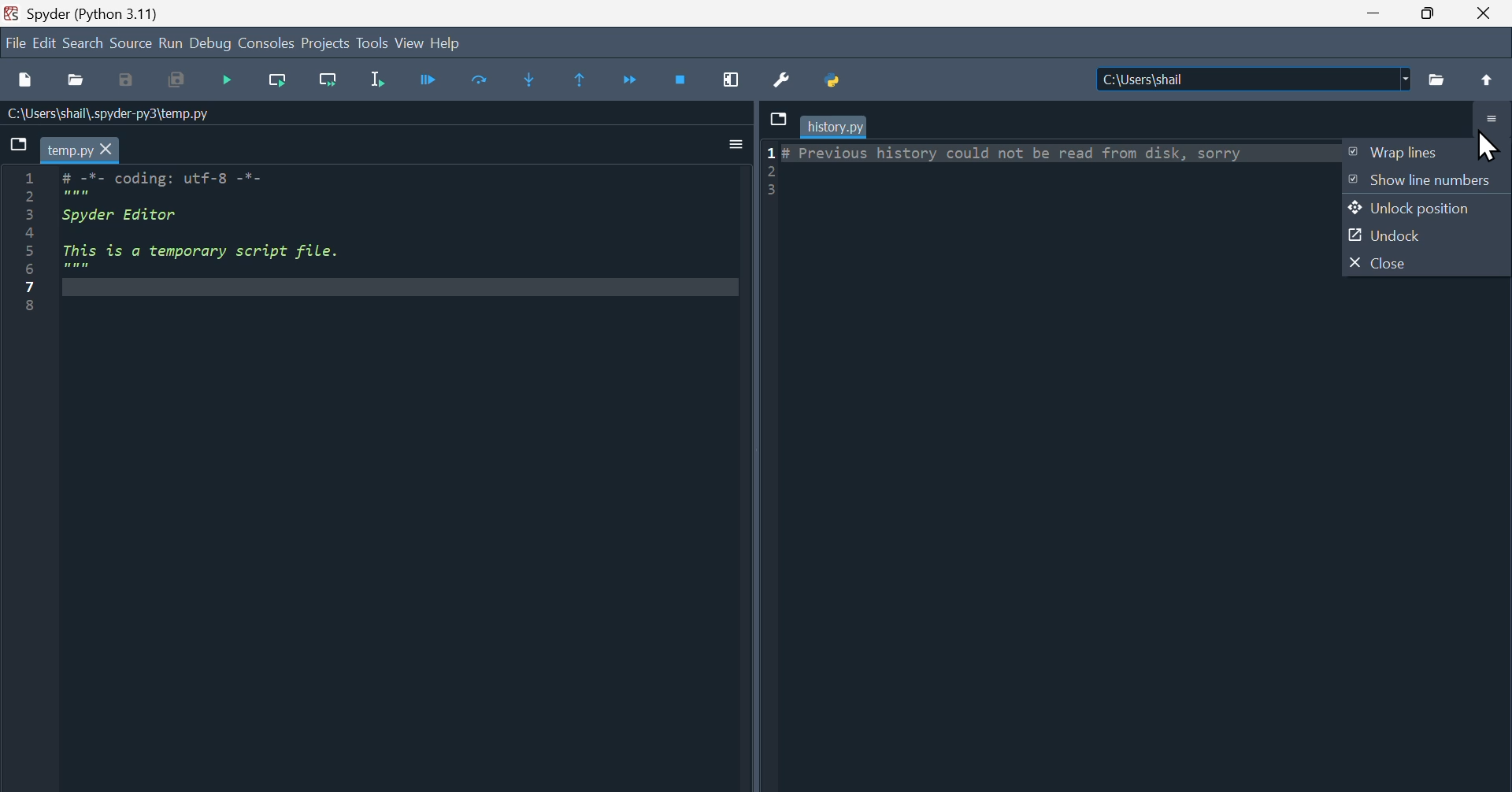  Describe the element at coordinates (1253, 80) in the screenshot. I see `|C:\Users\shail` at that location.